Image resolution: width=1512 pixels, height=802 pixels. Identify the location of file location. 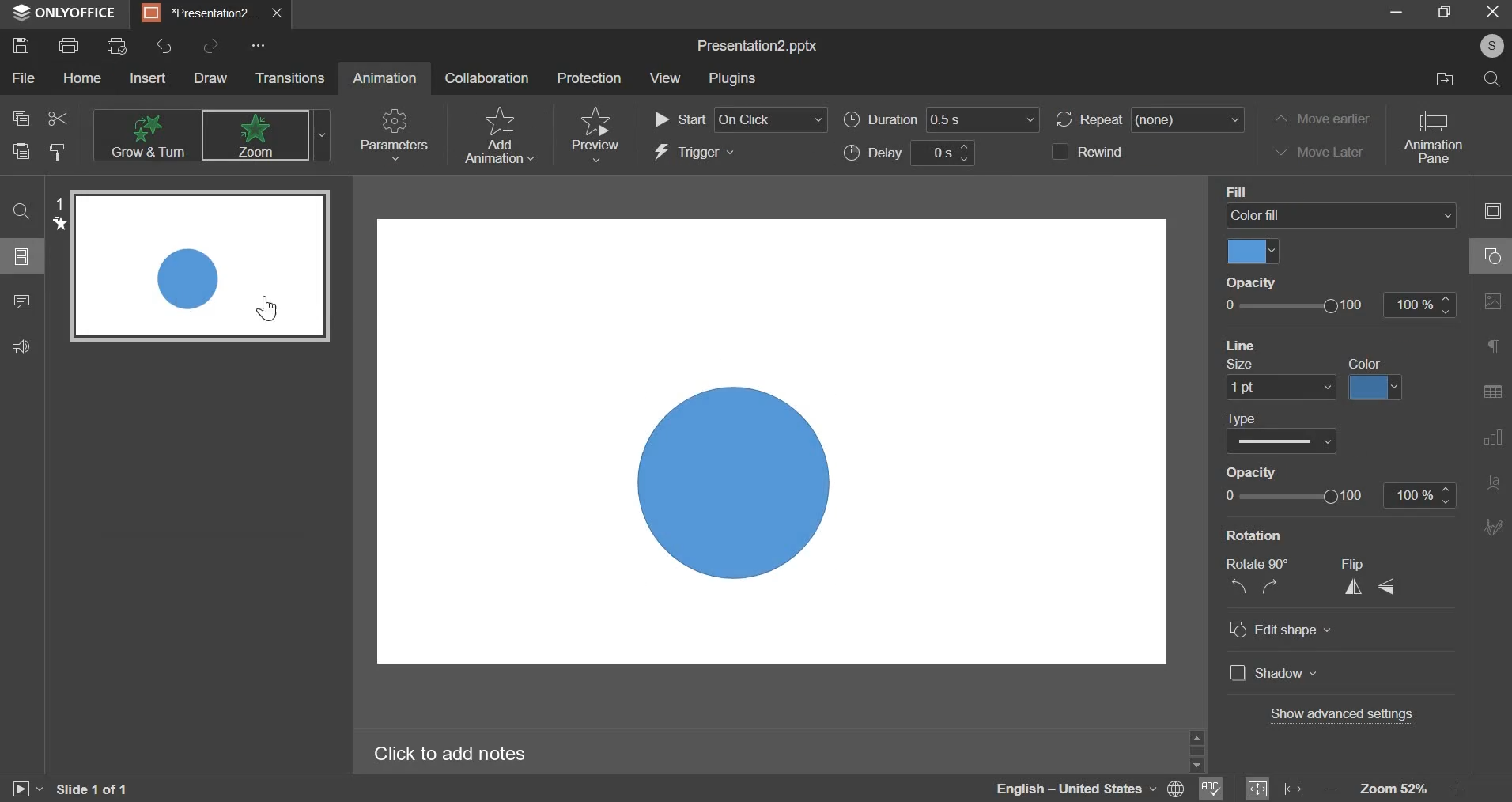
(1443, 78).